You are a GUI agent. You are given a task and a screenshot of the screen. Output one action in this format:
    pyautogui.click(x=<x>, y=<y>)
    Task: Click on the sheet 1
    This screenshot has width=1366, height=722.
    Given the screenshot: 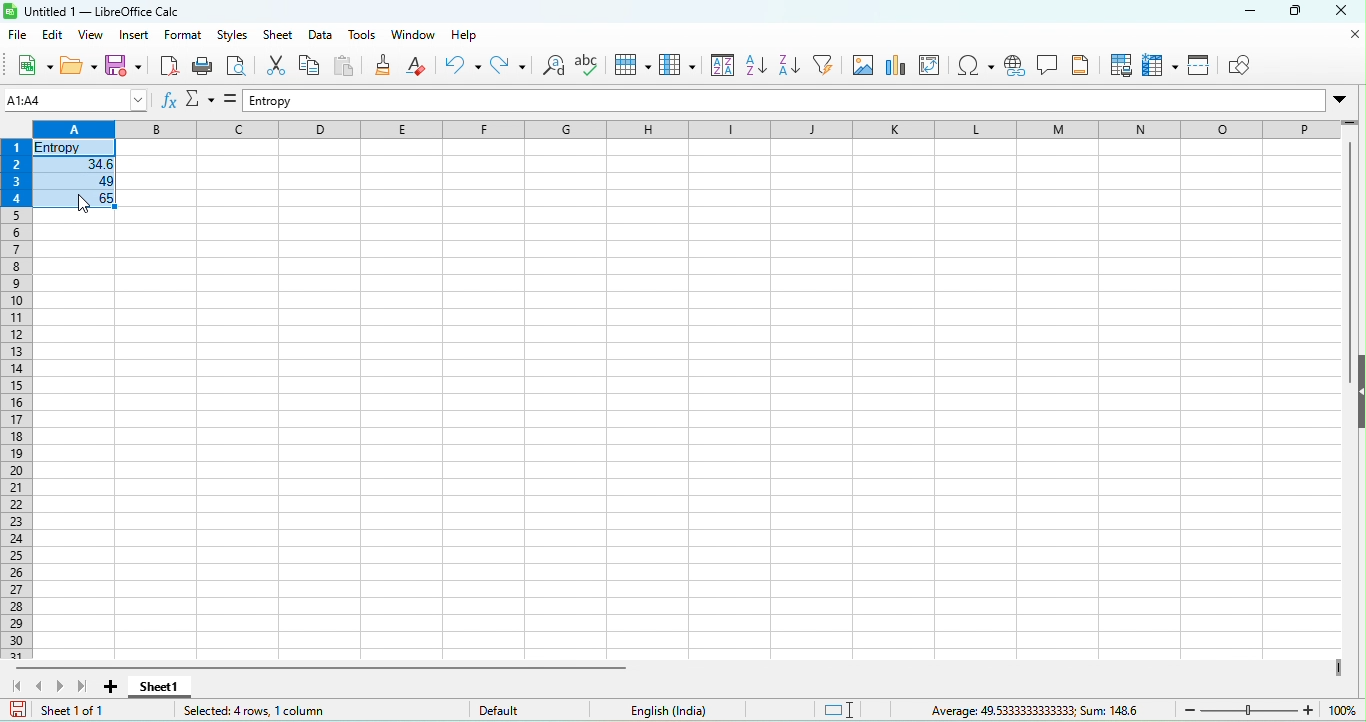 What is the action you would take?
    pyautogui.click(x=159, y=687)
    